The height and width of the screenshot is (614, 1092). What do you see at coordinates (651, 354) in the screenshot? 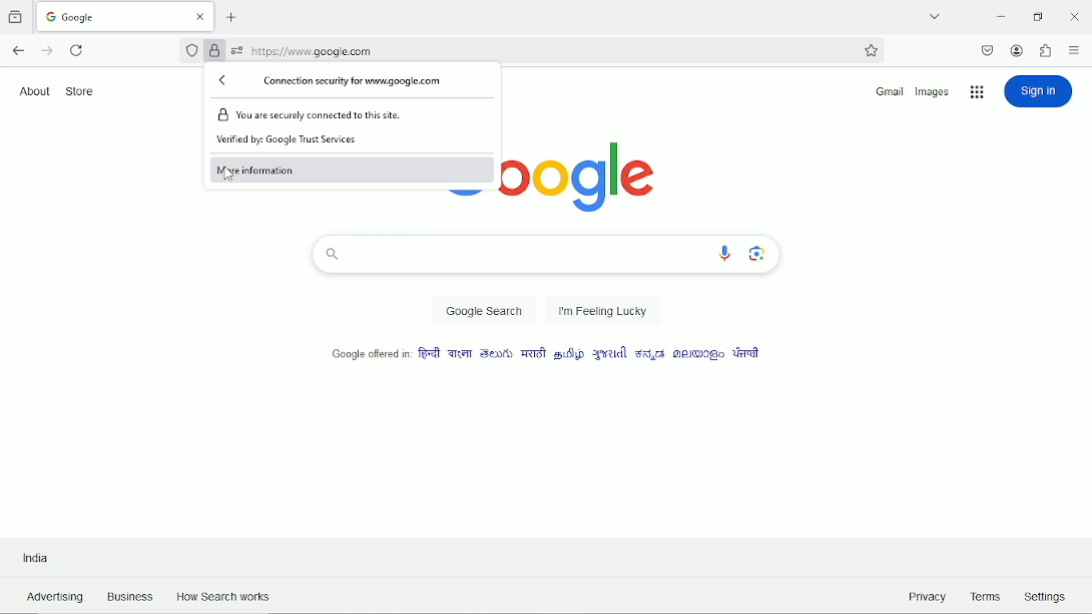
I see `language` at bounding box center [651, 354].